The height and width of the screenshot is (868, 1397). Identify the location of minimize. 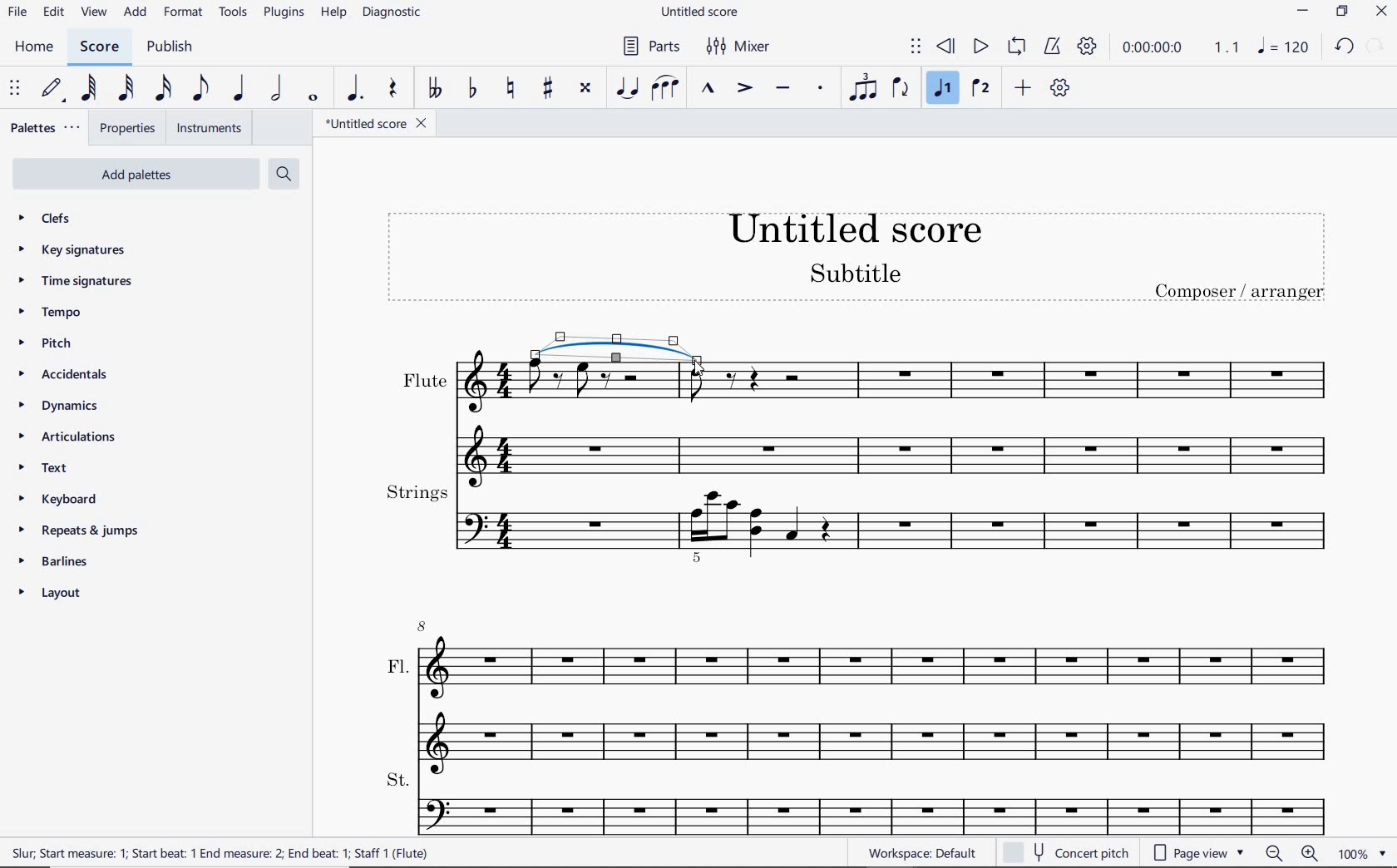
(1304, 13).